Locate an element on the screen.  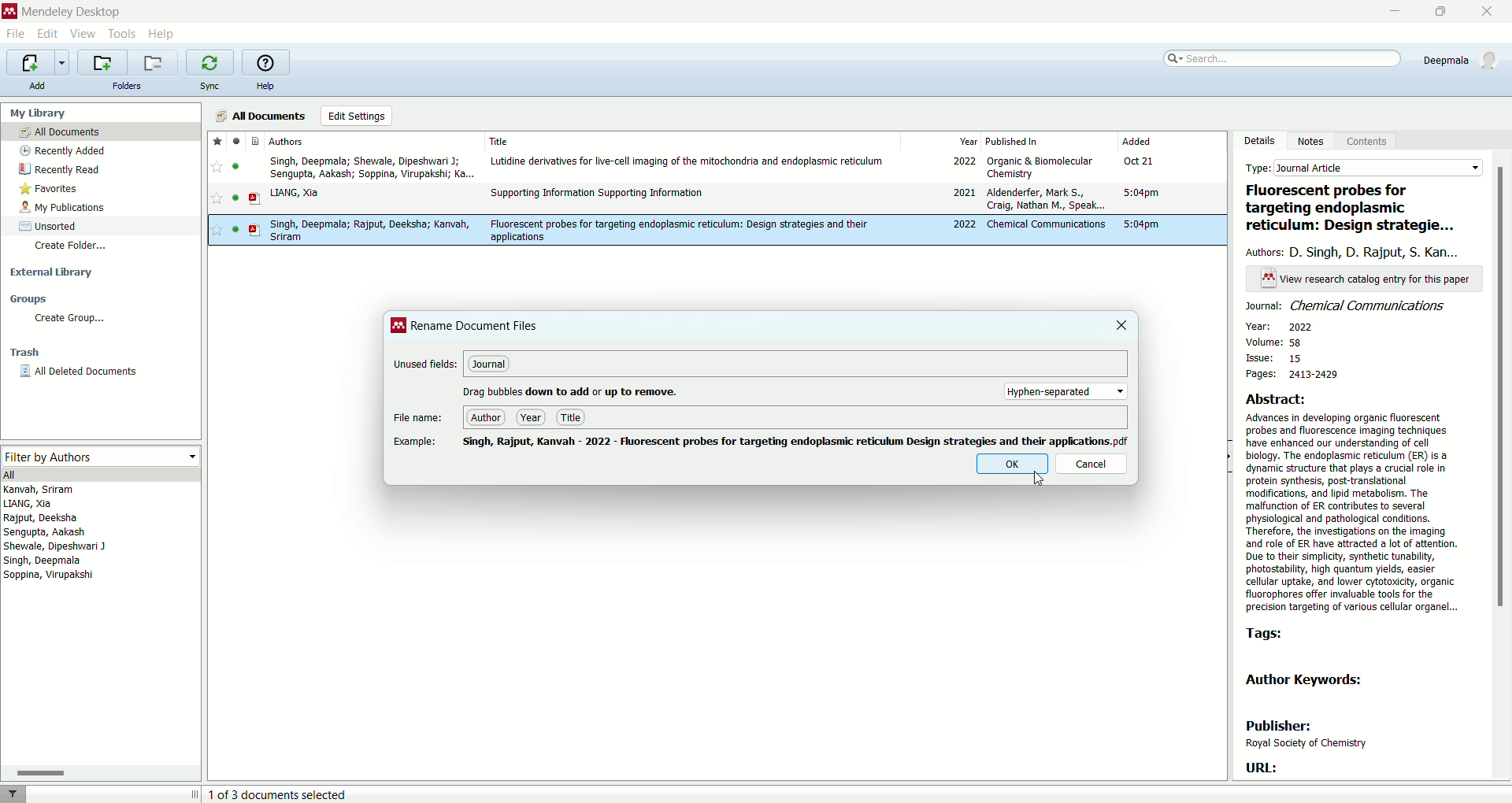
unused fields is located at coordinates (426, 364).